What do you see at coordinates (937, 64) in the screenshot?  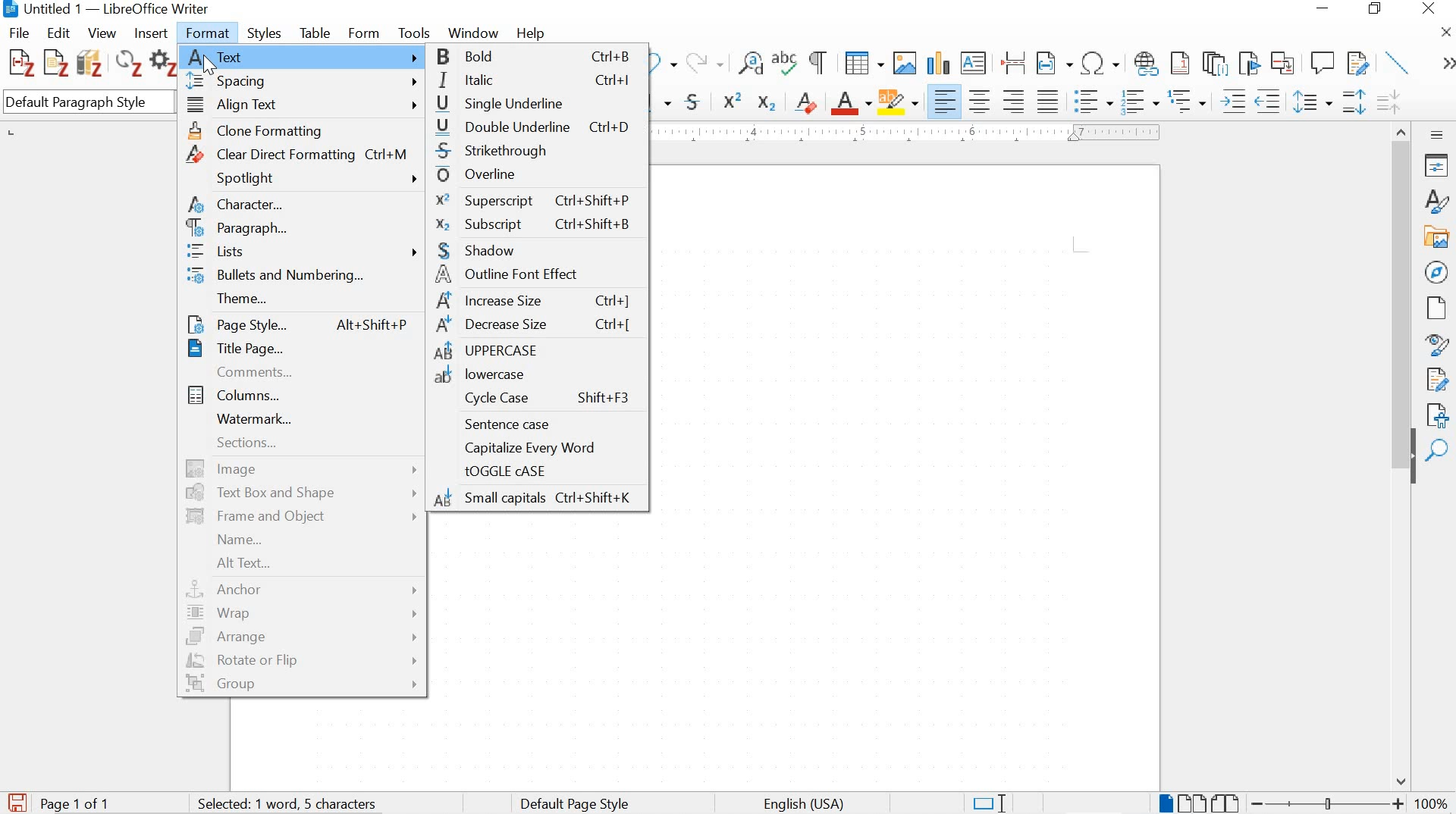 I see `insert chart` at bounding box center [937, 64].